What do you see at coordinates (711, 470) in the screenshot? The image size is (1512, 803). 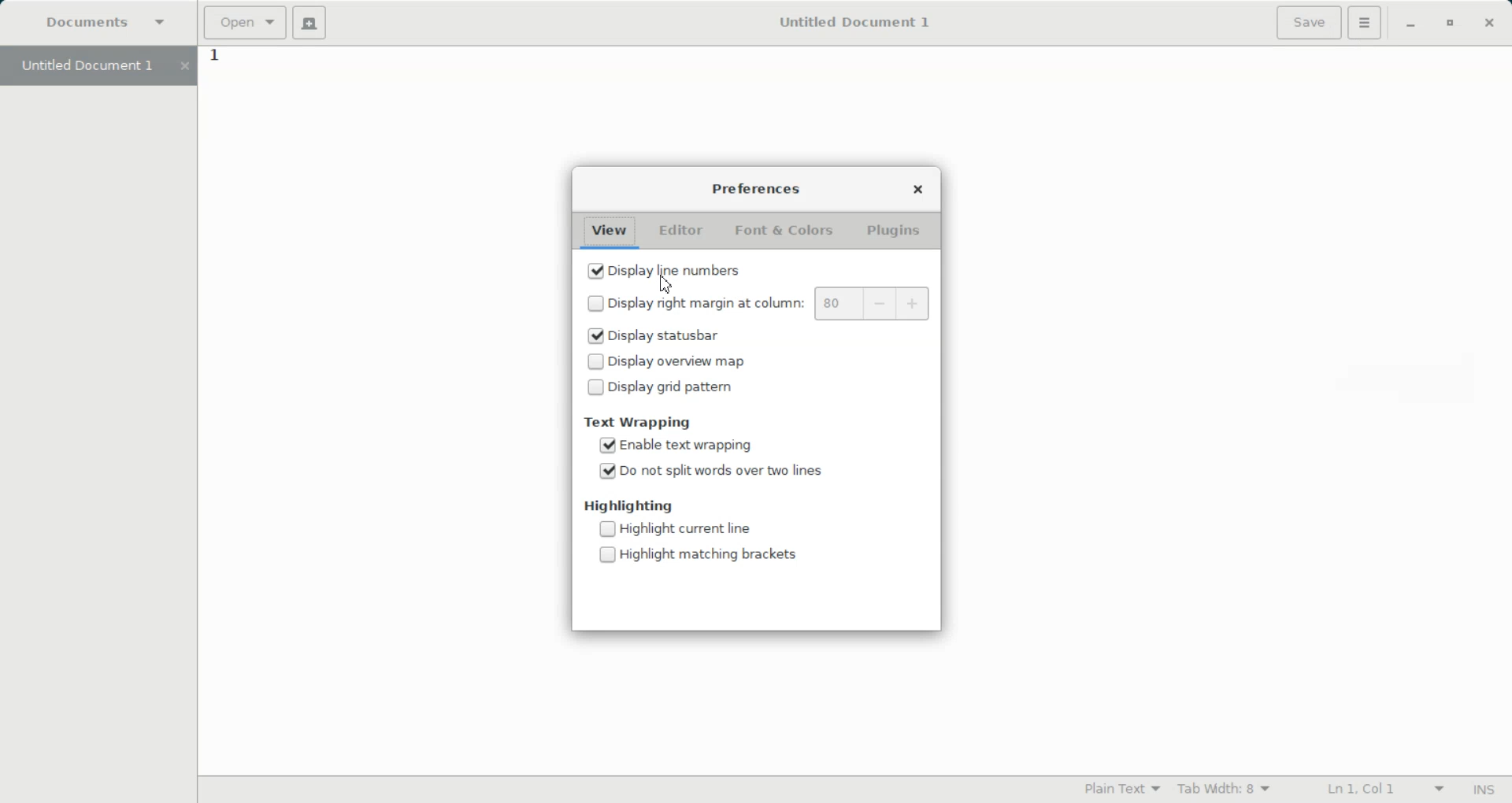 I see `(un)check Enable Do not split words over two lines` at bounding box center [711, 470].